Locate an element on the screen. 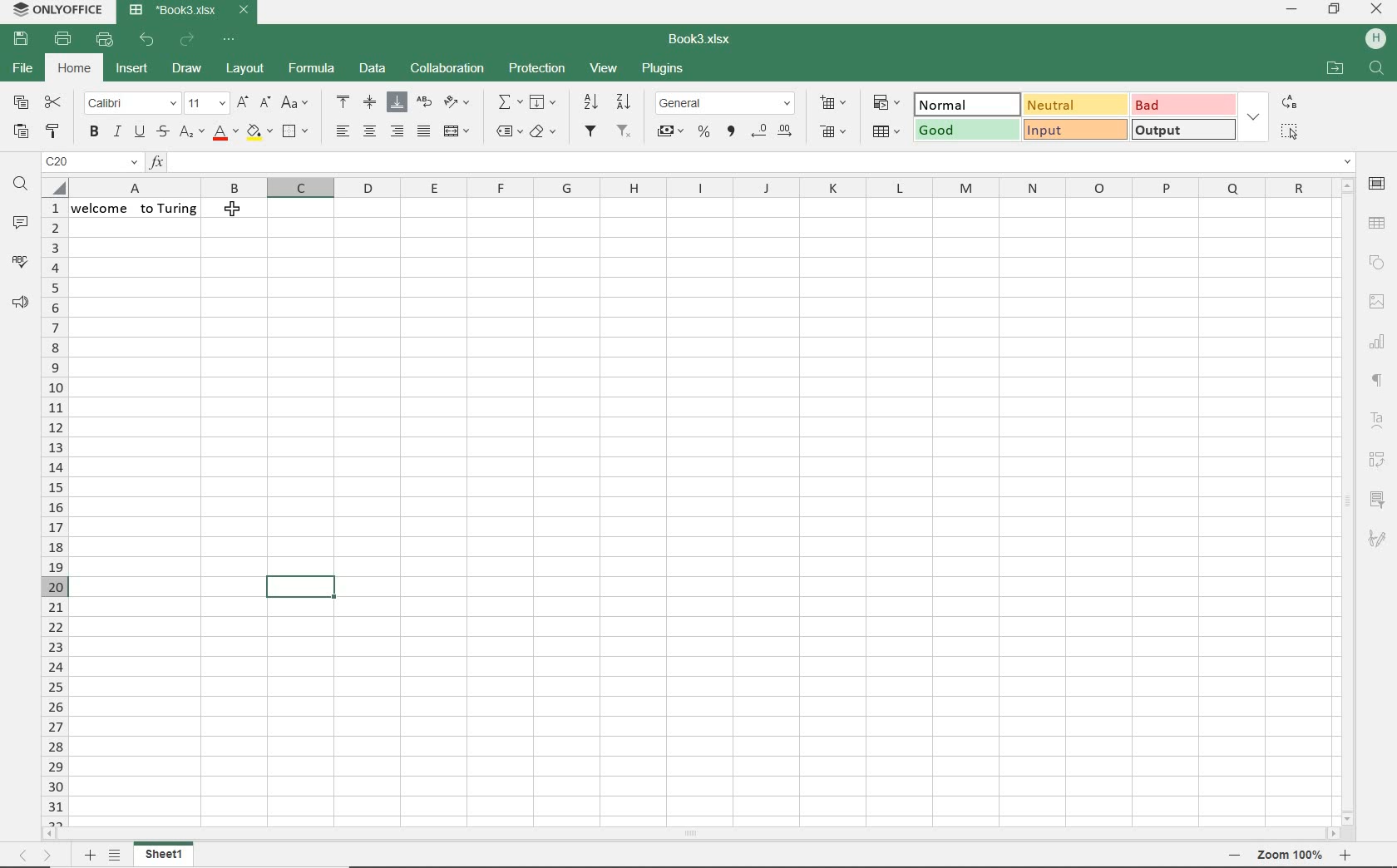 The image size is (1397, 868). align top is located at coordinates (343, 101).